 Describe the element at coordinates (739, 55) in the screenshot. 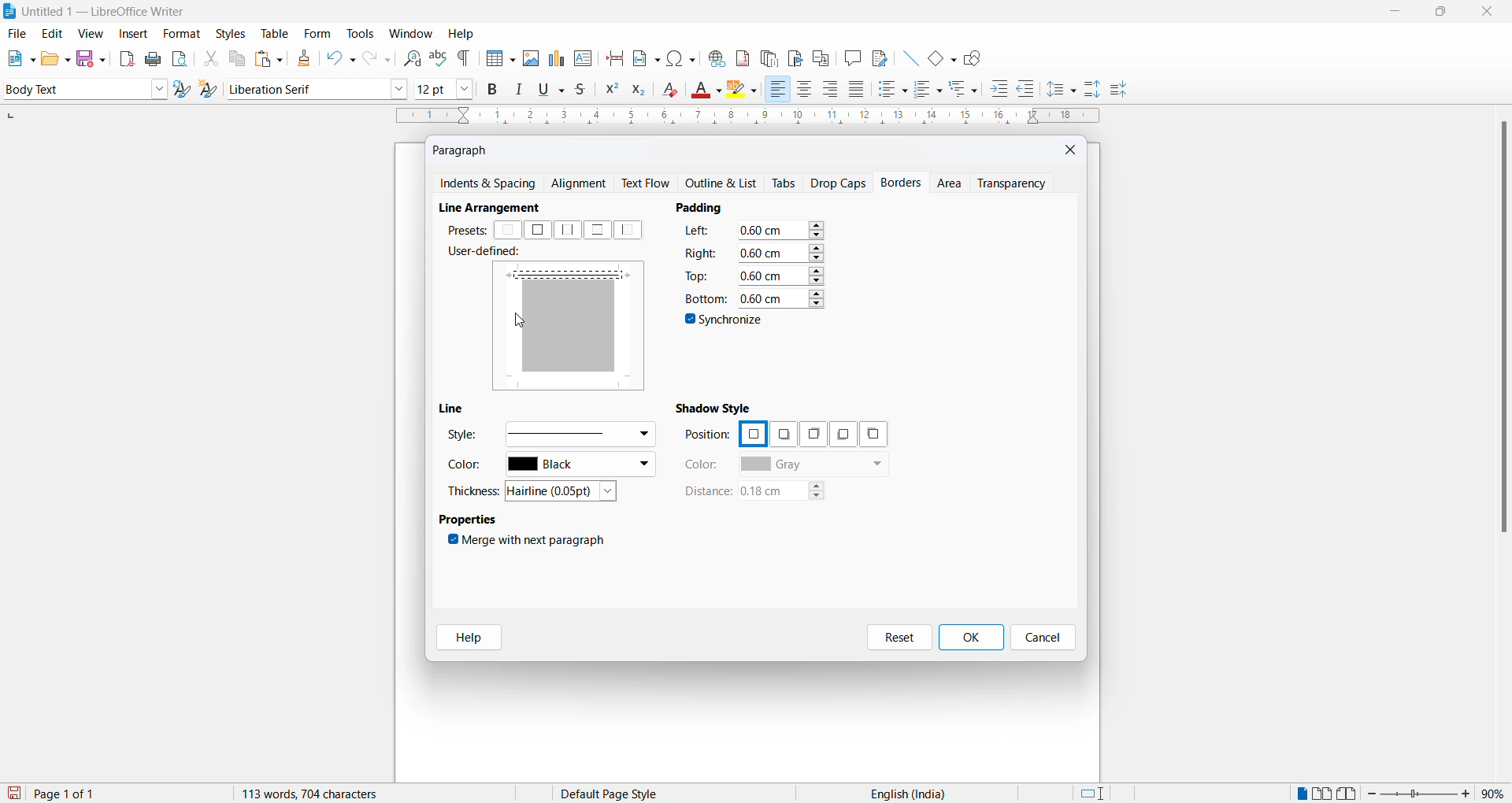

I see `insert footnote` at that location.